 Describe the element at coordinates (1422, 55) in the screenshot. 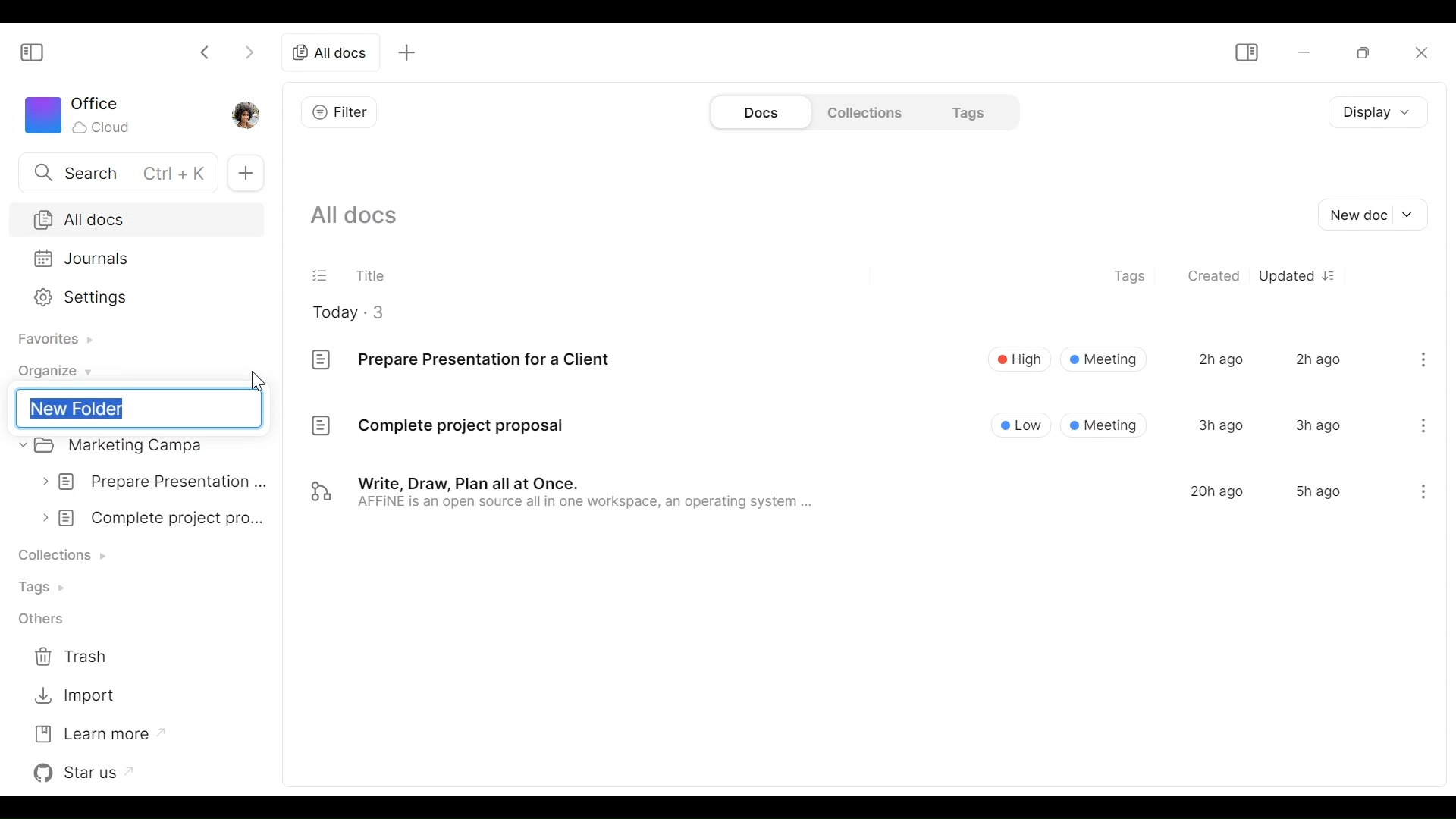

I see `Close` at that location.